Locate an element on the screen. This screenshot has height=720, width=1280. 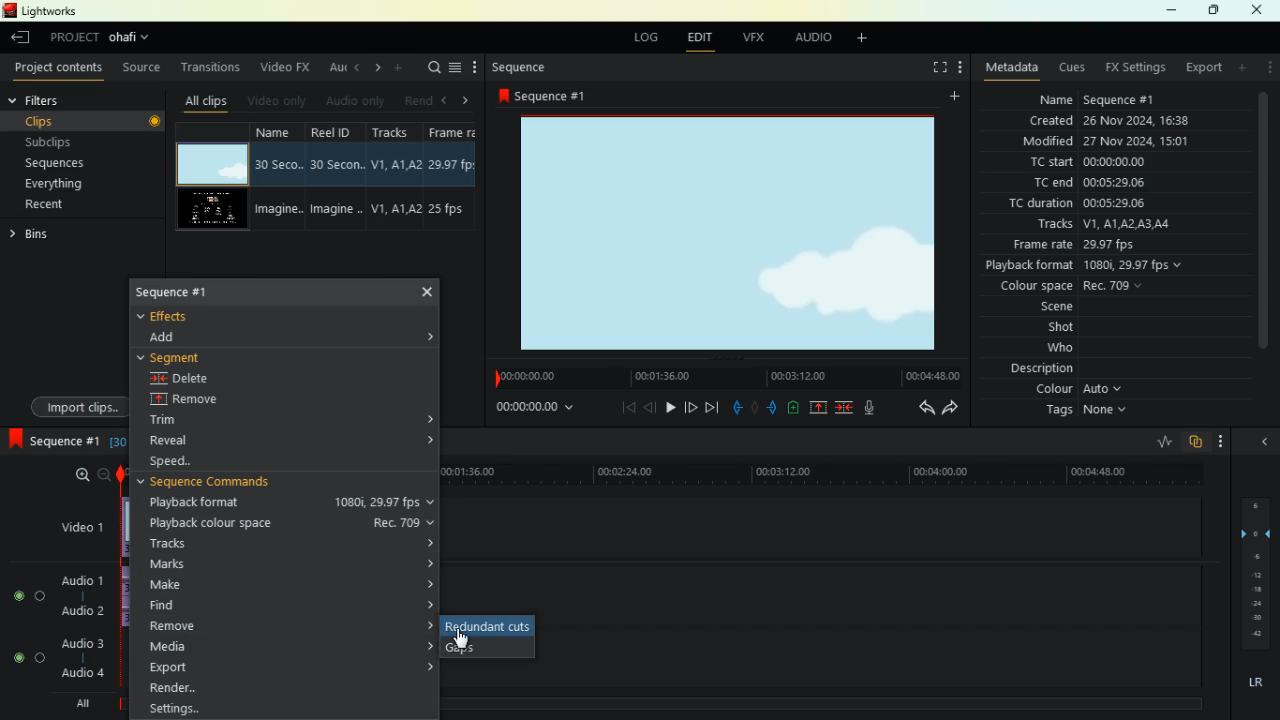
sequences is located at coordinates (63, 165).